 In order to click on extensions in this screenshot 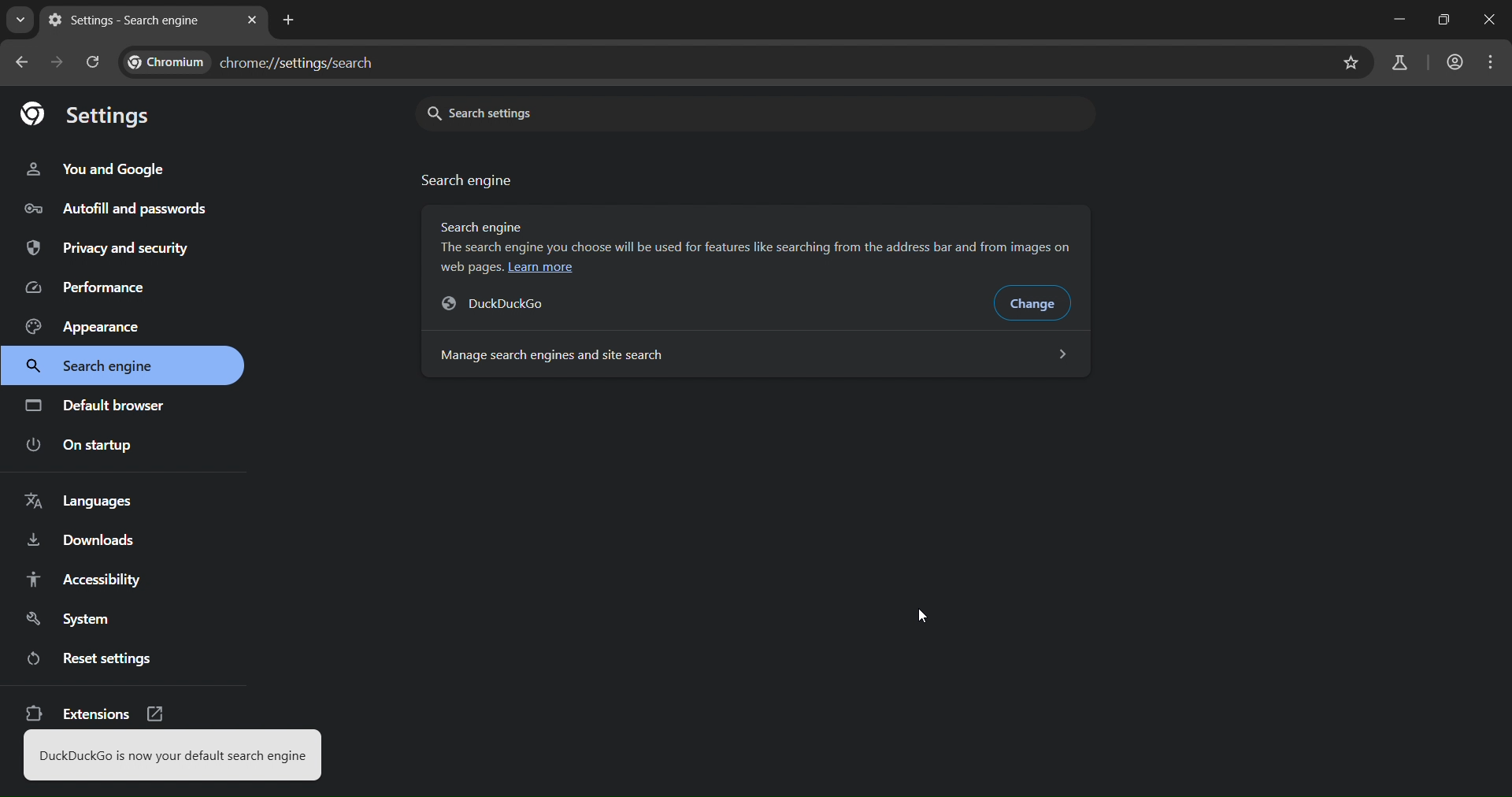, I will do `click(94, 716)`.